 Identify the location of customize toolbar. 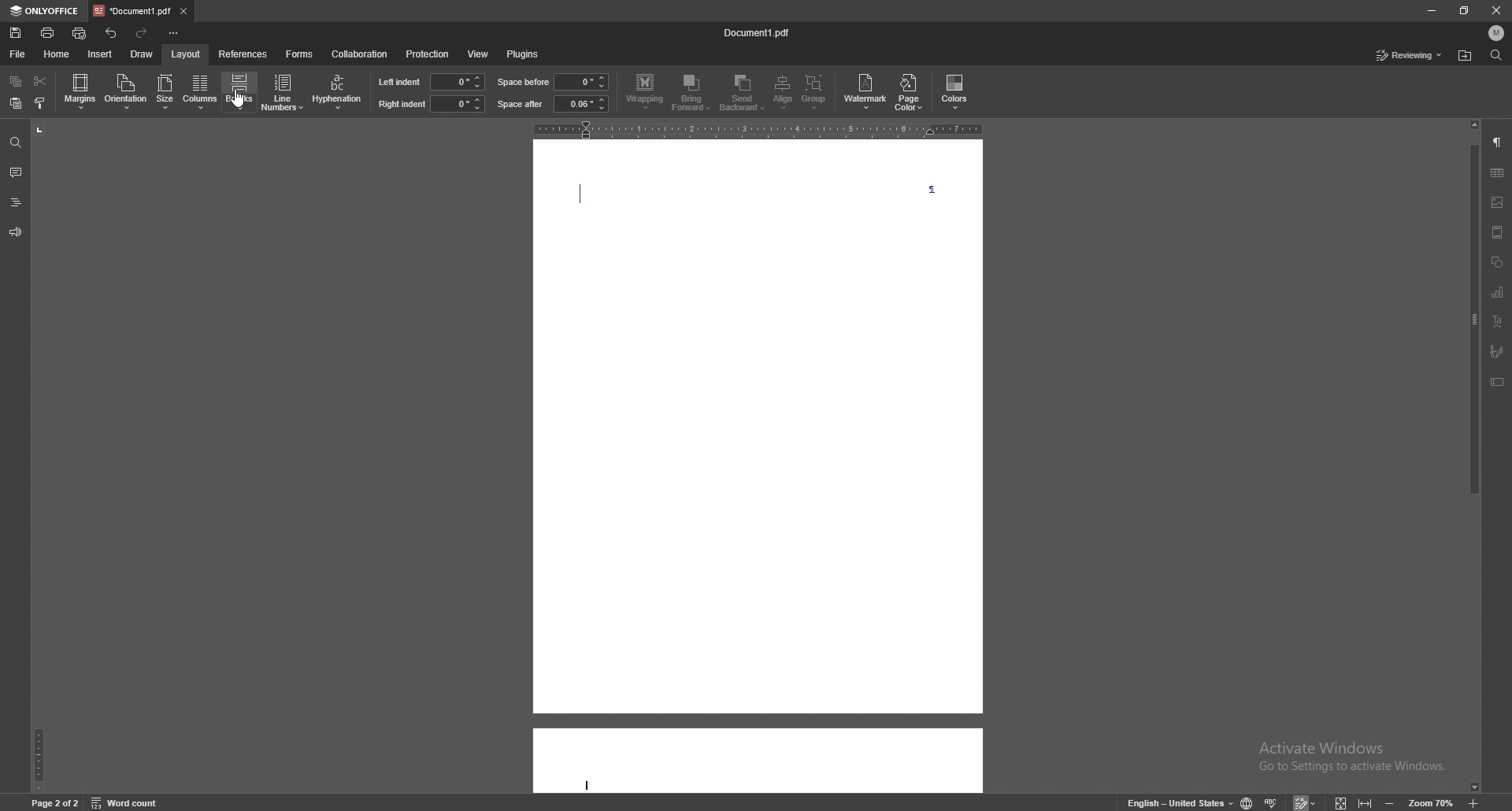
(173, 32).